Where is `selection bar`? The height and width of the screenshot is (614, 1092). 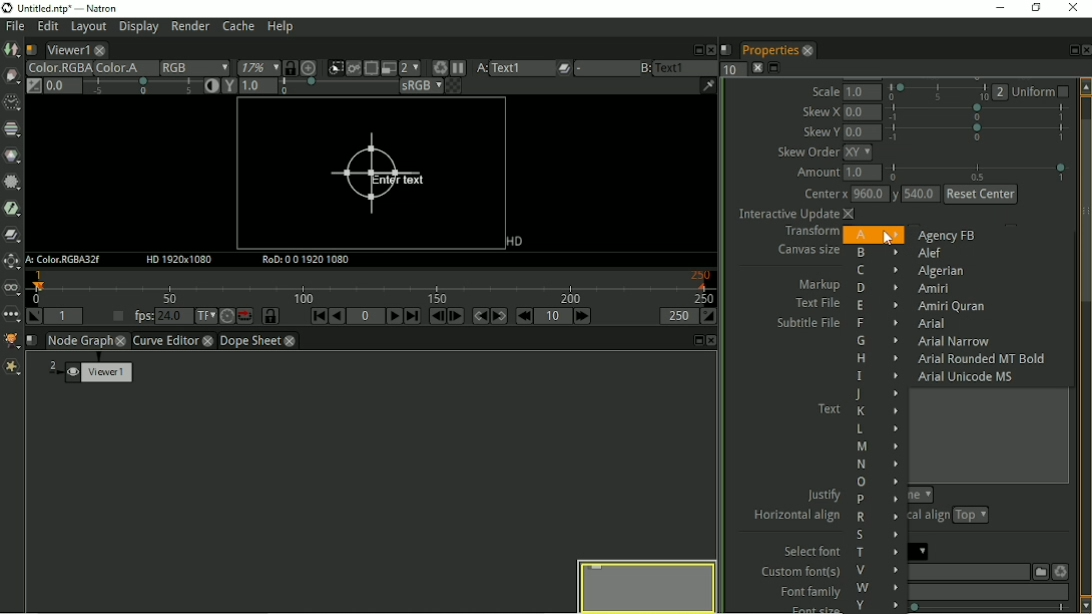 selection bar is located at coordinates (977, 132).